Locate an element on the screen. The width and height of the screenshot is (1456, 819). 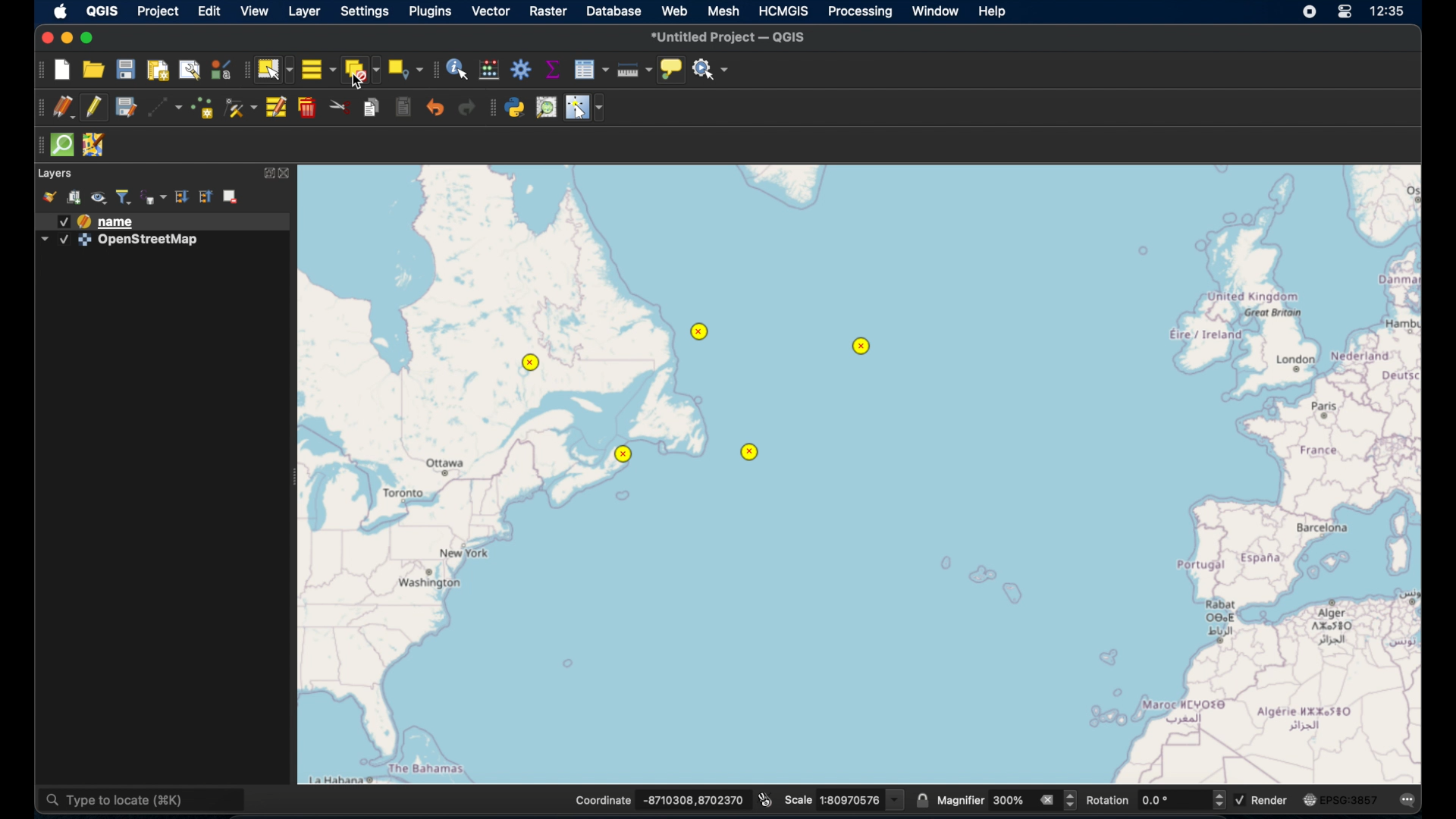
icon is located at coordinates (1310, 798).